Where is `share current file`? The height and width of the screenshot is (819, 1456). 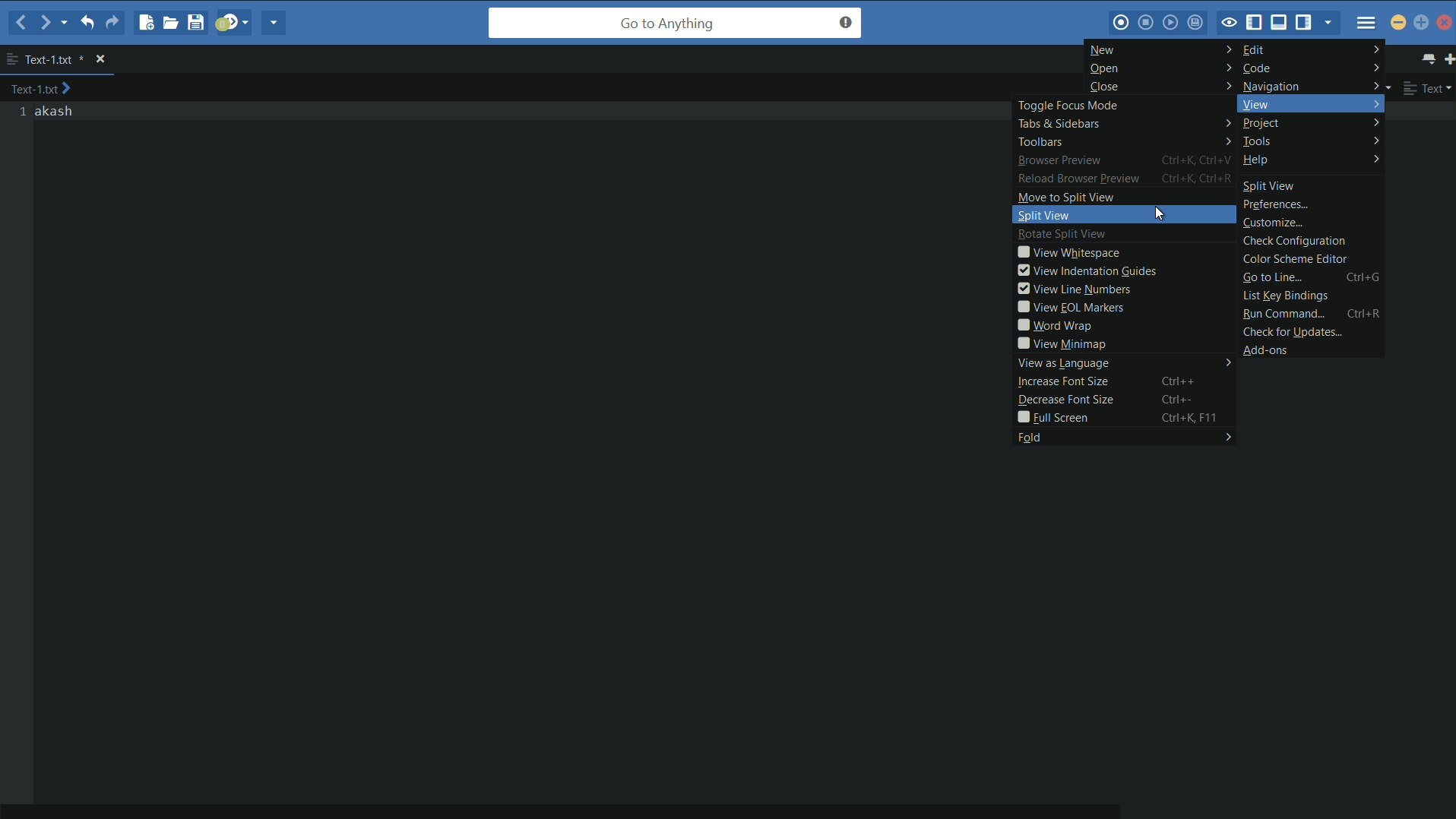 share current file is located at coordinates (273, 23).